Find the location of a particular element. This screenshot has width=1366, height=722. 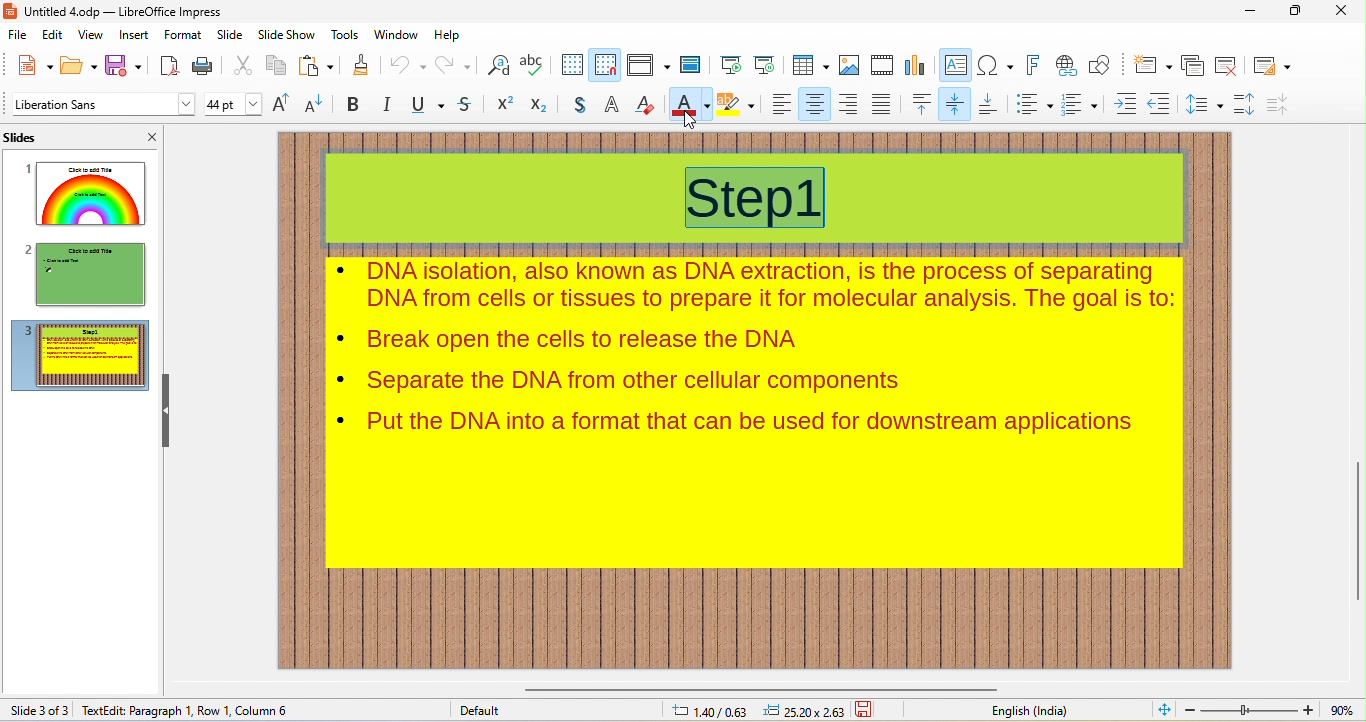

print is located at coordinates (205, 67).